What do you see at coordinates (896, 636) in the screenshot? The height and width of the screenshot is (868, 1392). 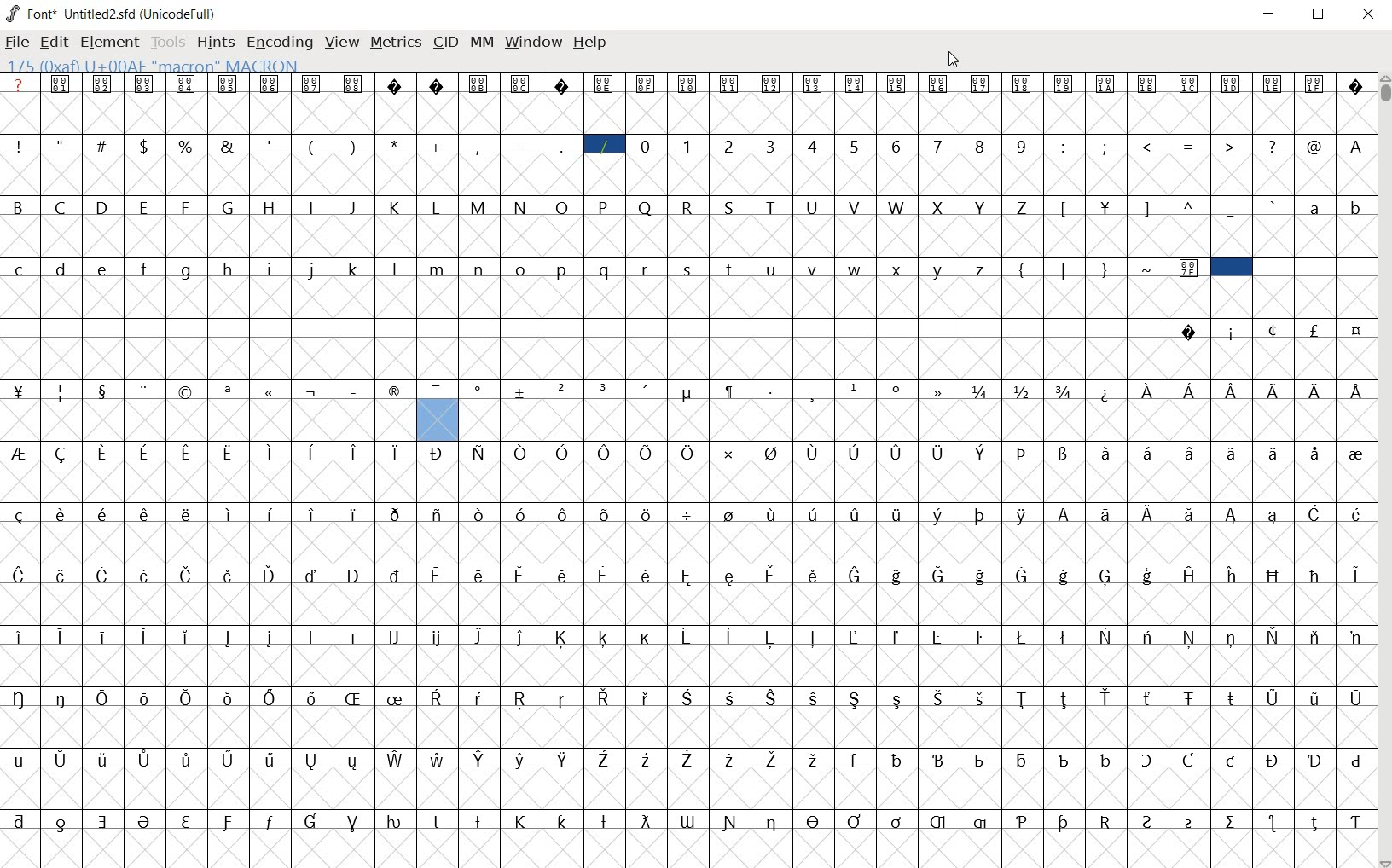 I see `Symbol` at bounding box center [896, 636].